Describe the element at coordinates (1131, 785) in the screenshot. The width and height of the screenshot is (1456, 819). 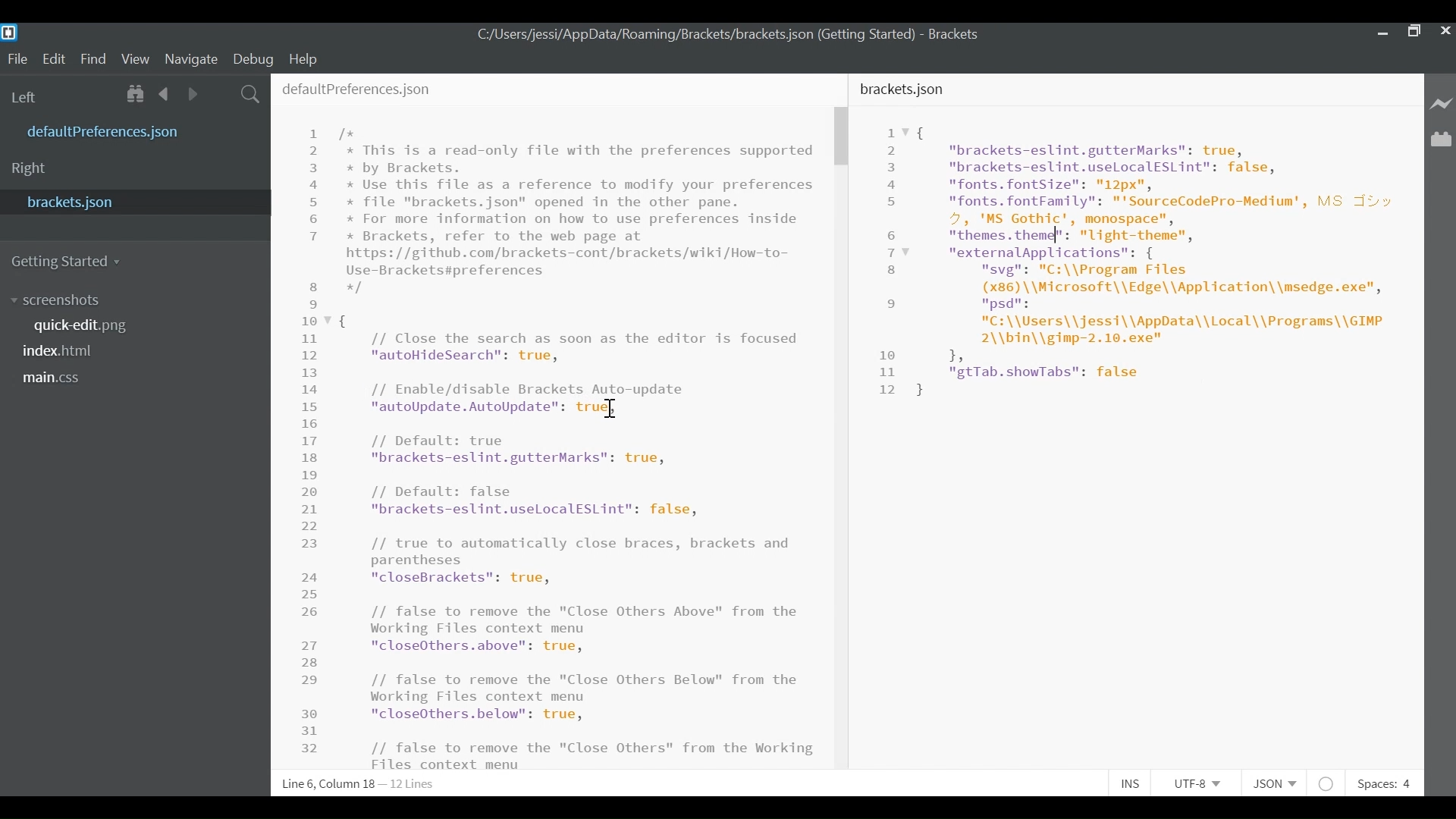
I see `Toggle Insert or Overwrite` at that location.